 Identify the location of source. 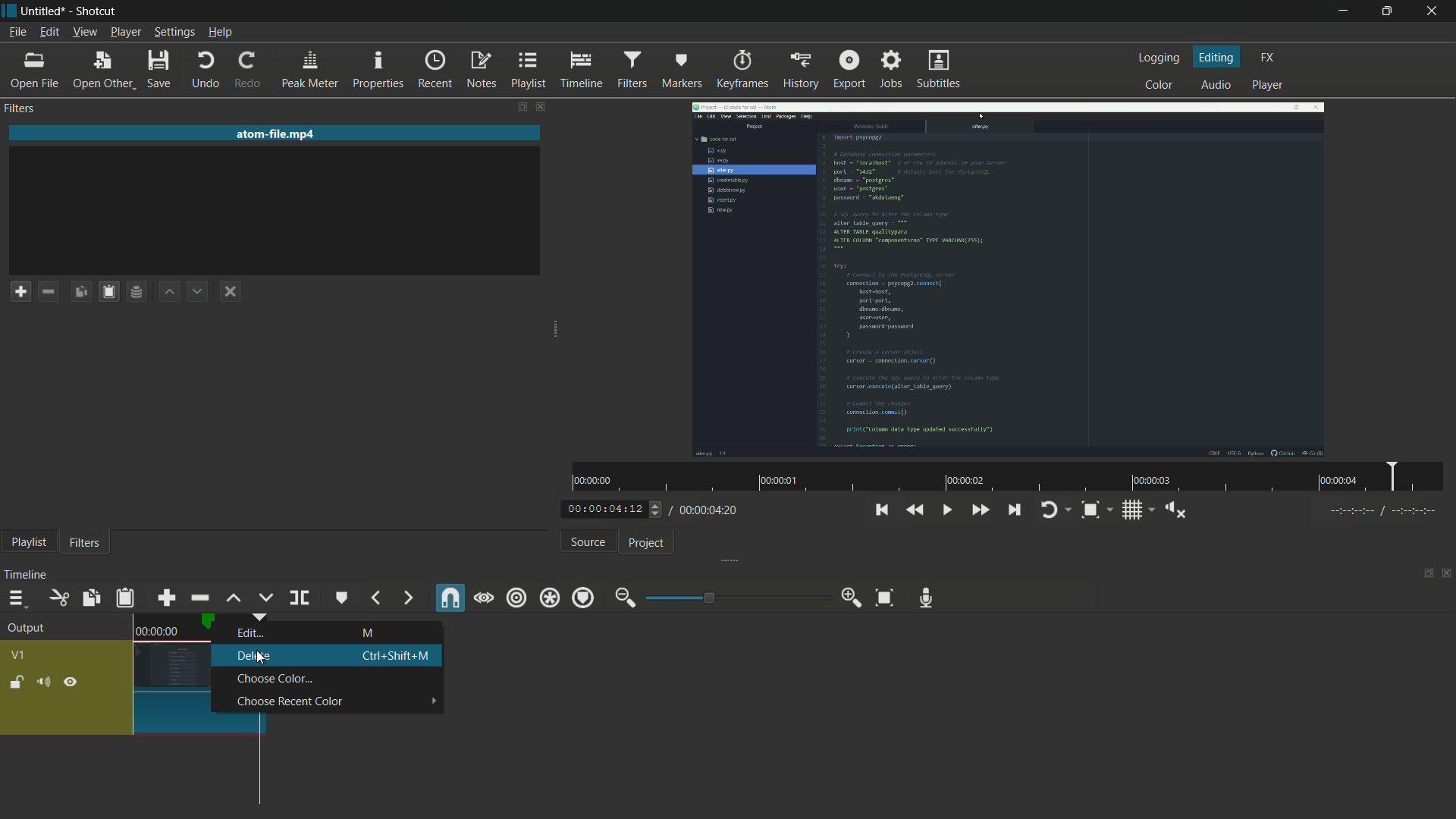
(586, 542).